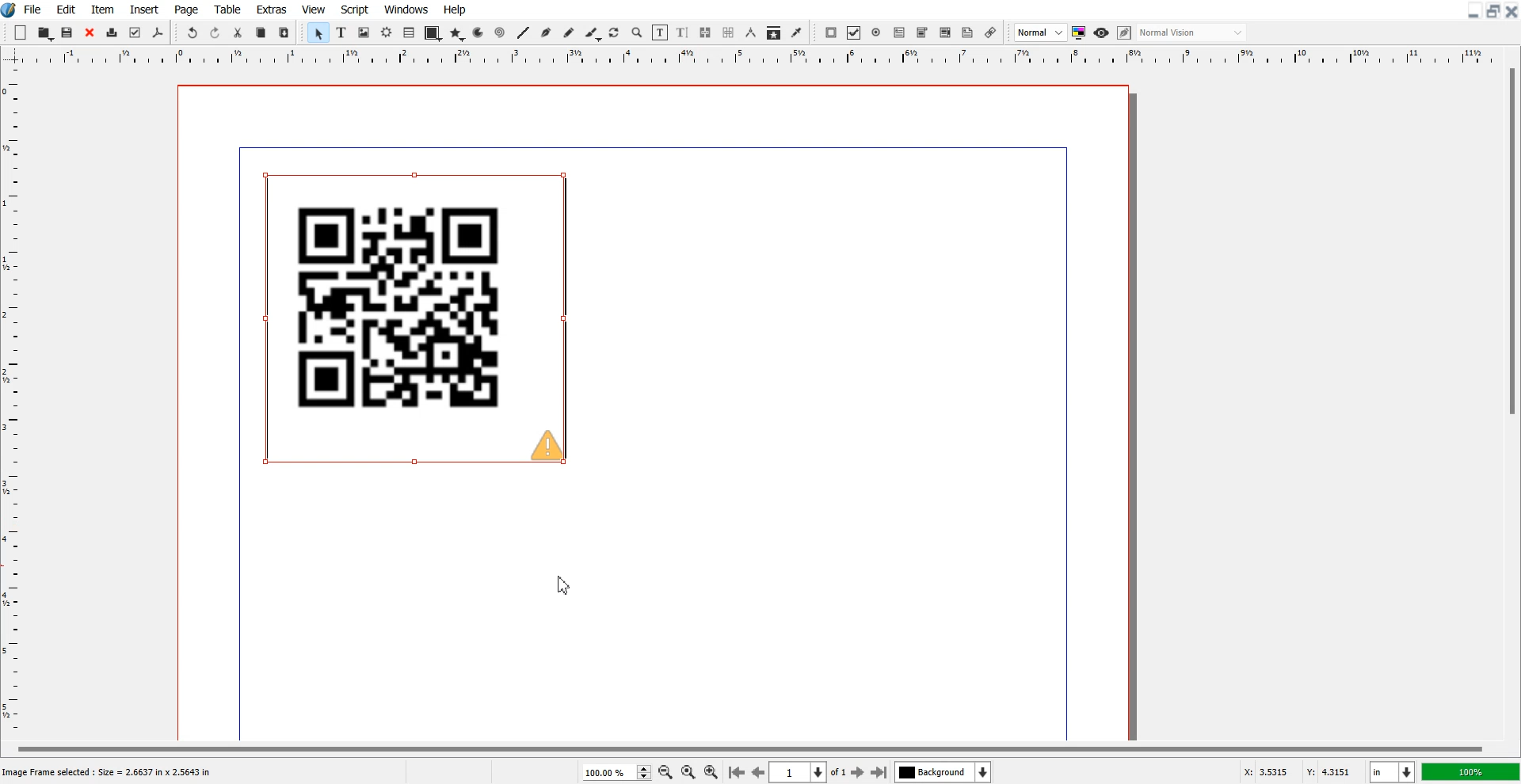  I want to click on 100%, so click(1470, 771).